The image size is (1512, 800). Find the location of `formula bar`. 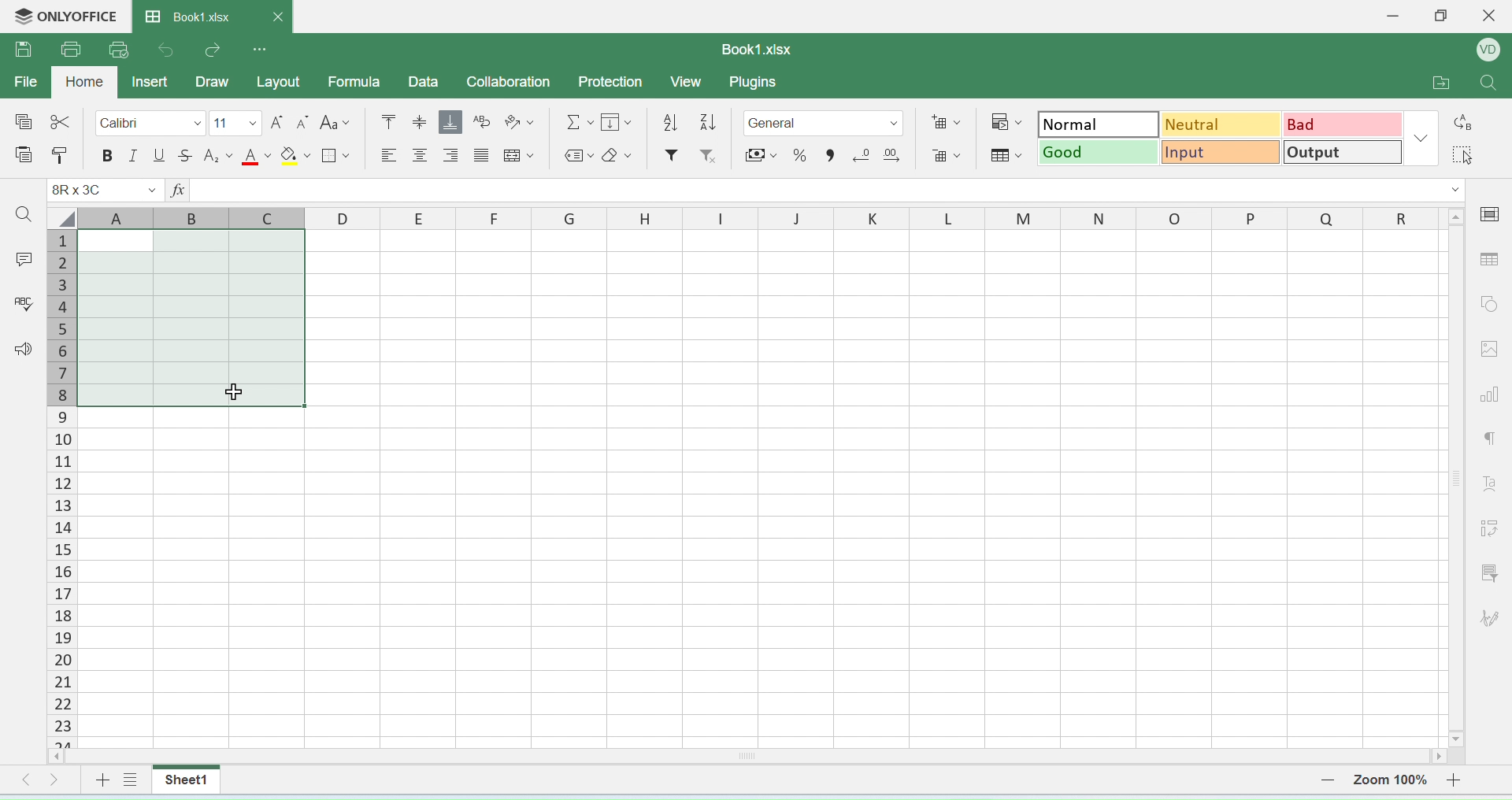

formula bar is located at coordinates (817, 190).